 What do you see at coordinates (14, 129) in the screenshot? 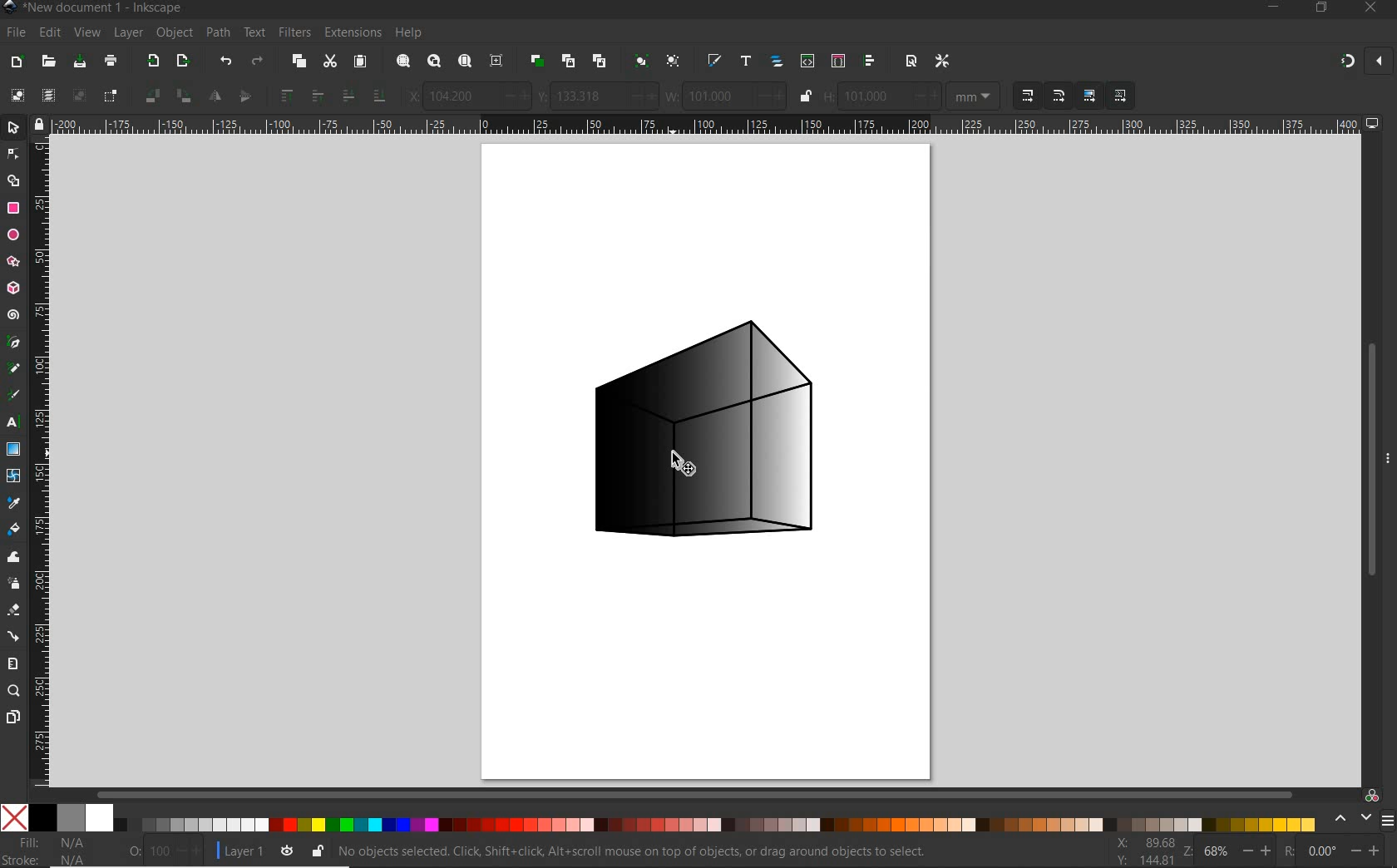
I see `SELECTOR TOOL` at bounding box center [14, 129].